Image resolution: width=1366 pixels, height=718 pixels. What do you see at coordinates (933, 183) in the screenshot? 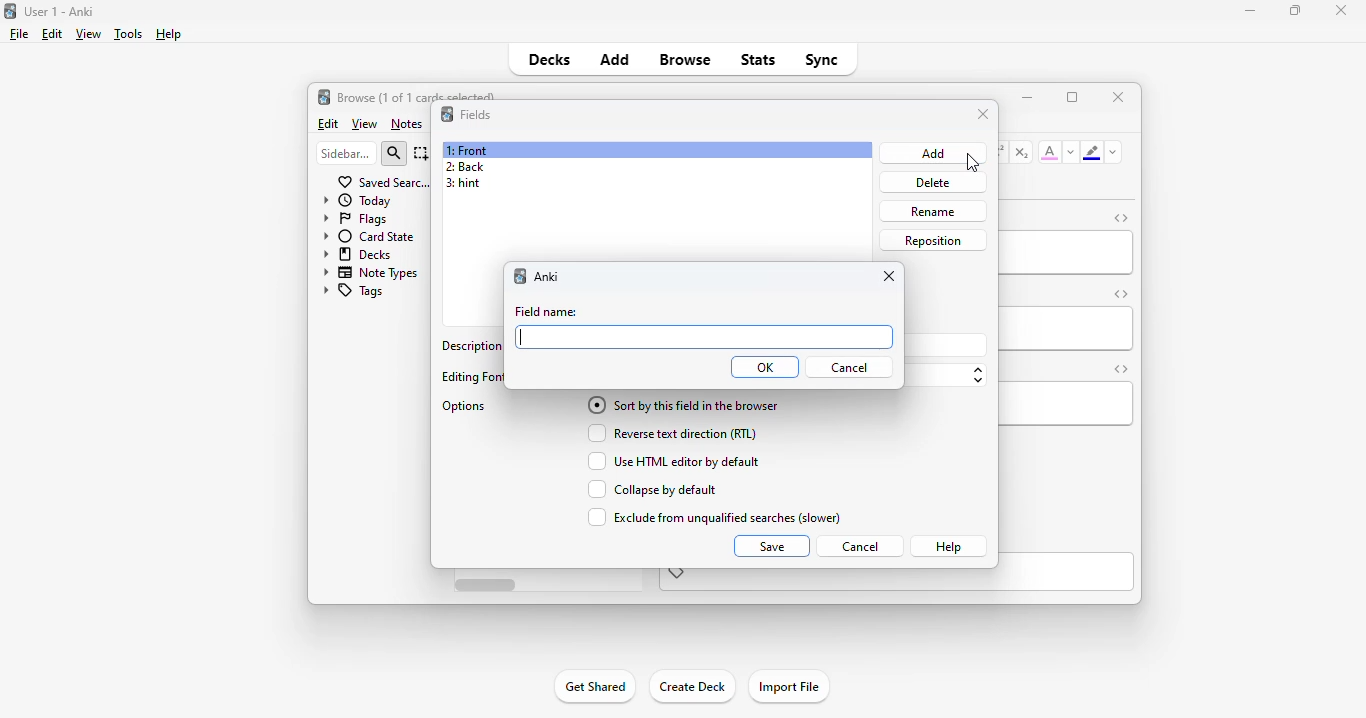
I see `delete` at bounding box center [933, 183].